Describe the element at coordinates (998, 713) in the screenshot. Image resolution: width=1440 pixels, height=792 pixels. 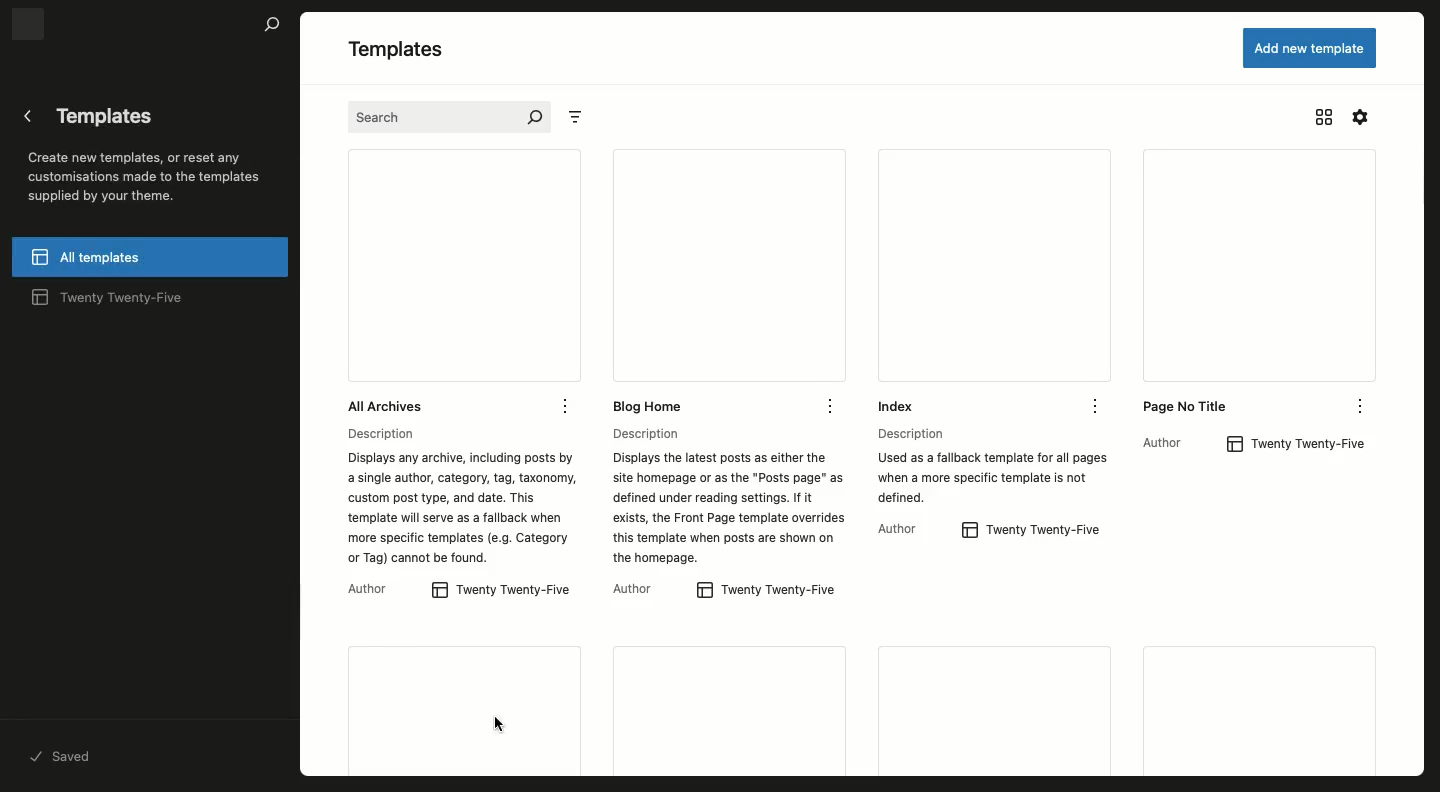
I see `More templates` at that location.